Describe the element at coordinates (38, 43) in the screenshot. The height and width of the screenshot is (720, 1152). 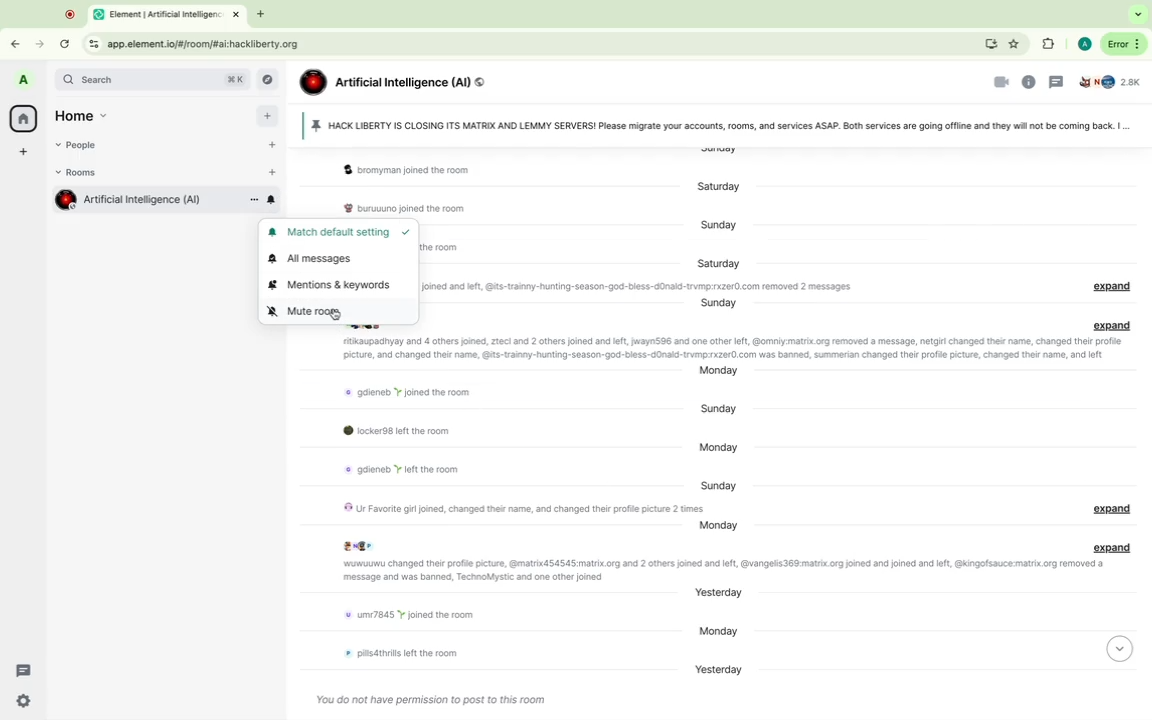
I see `Forward` at that location.